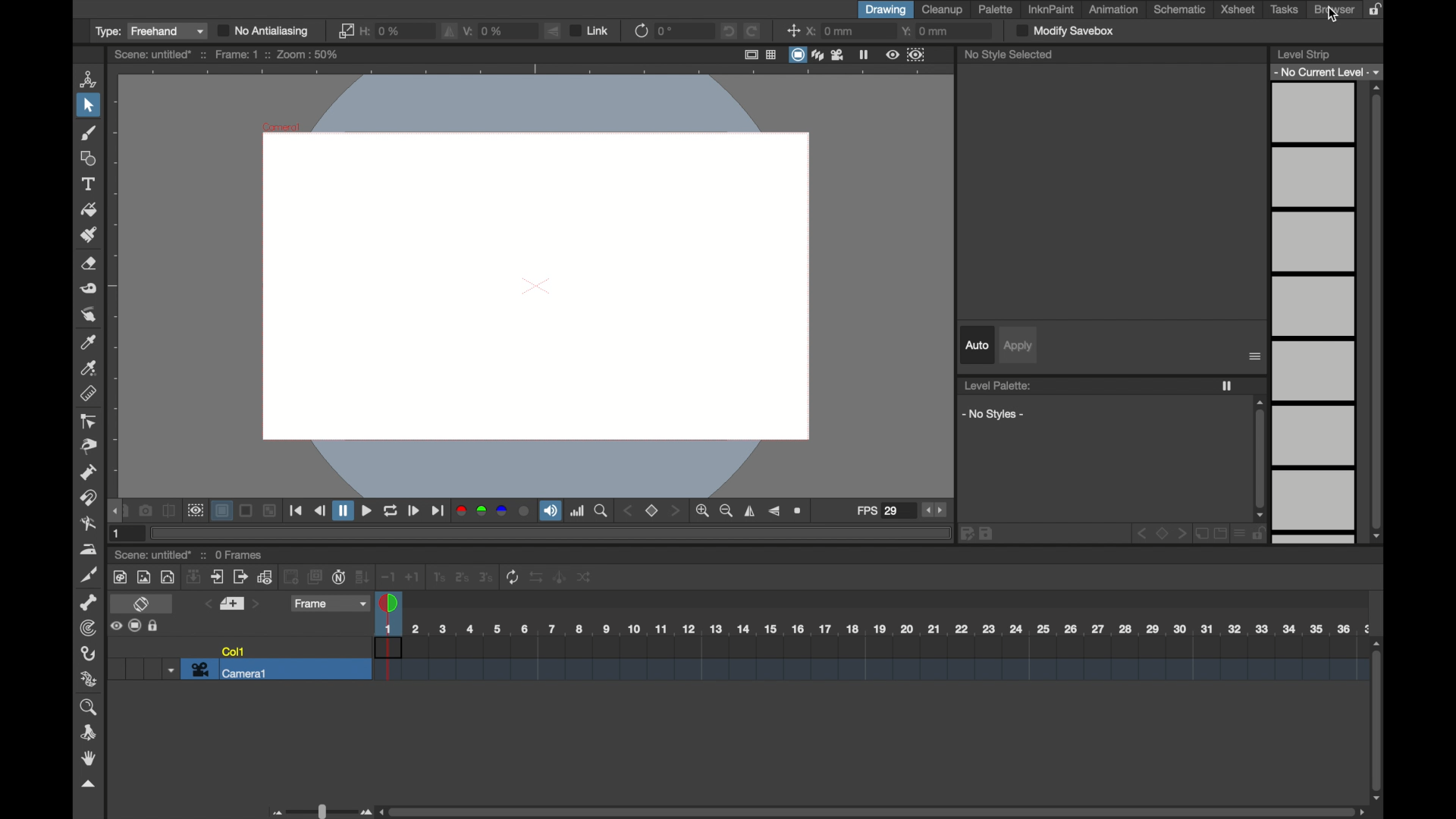 Image resolution: width=1456 pixels, height=819 pixels. I want to click on menu, so click(1241, 534).